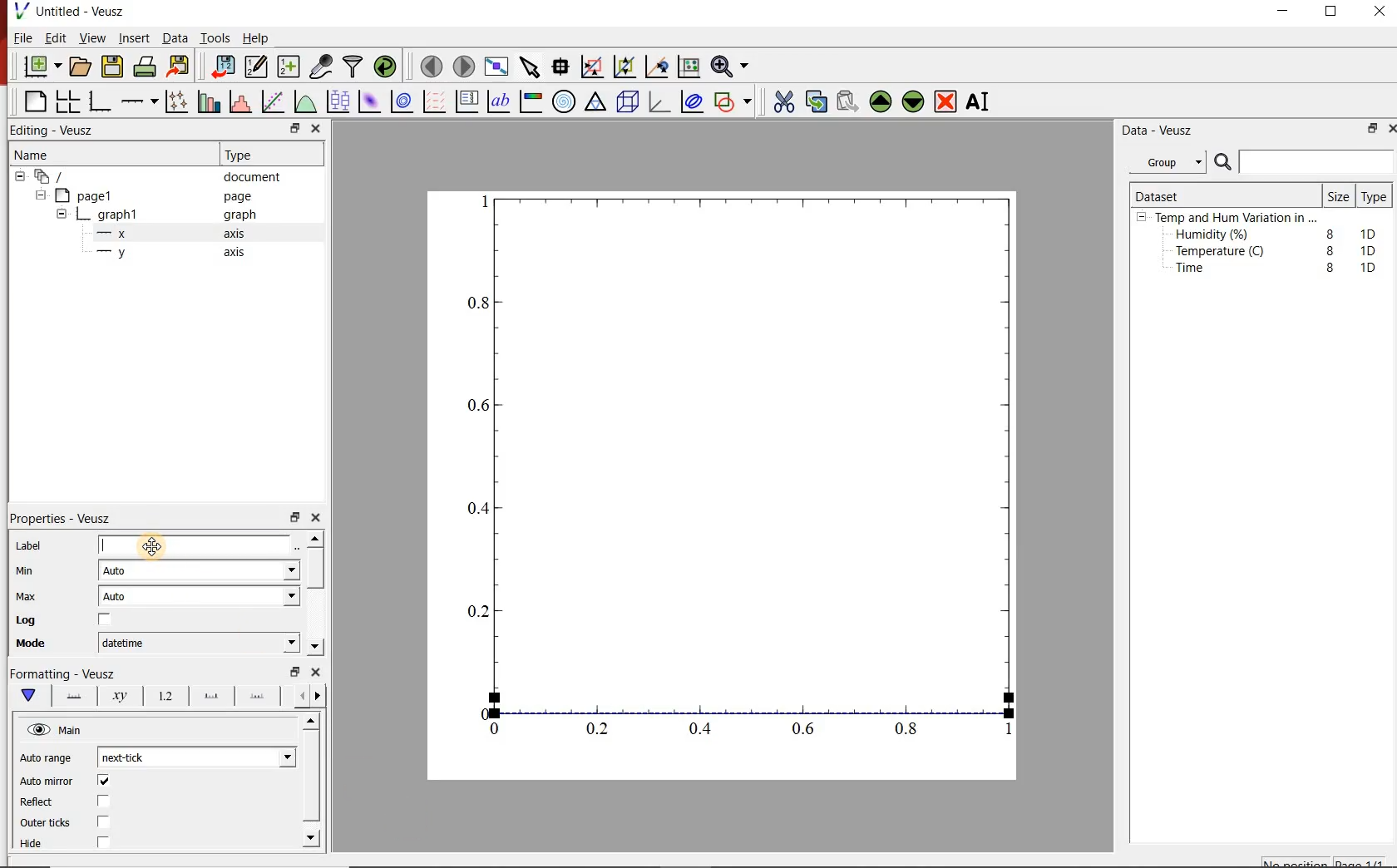 The height and width of the screenshot is (868, 1397). Describe the element at coordinates (782, 100) in the screenshot. I see `cut the selected widget` at that location.